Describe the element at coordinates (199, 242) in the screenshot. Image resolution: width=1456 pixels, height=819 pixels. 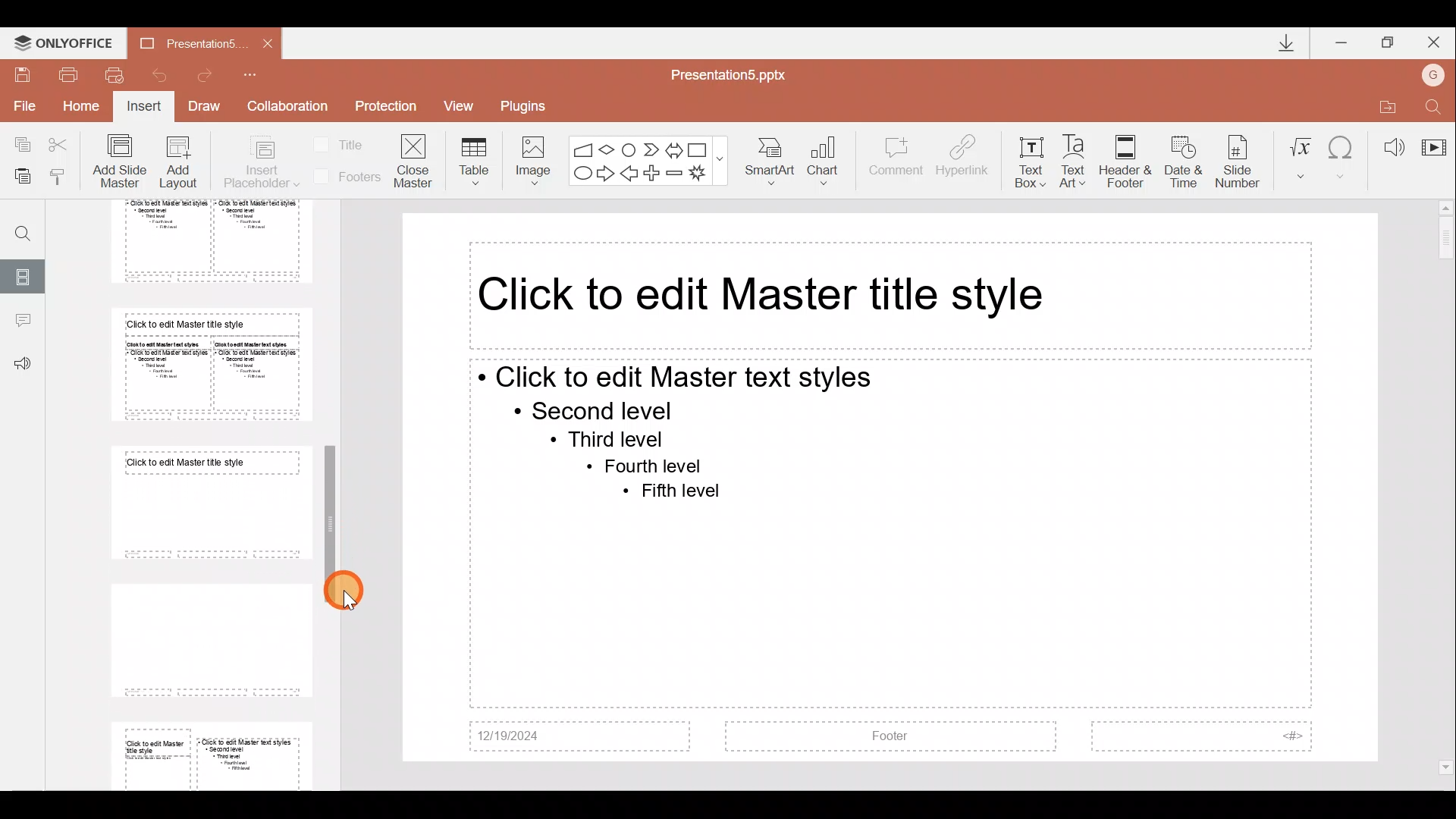
I see `Slide 5` at that location.